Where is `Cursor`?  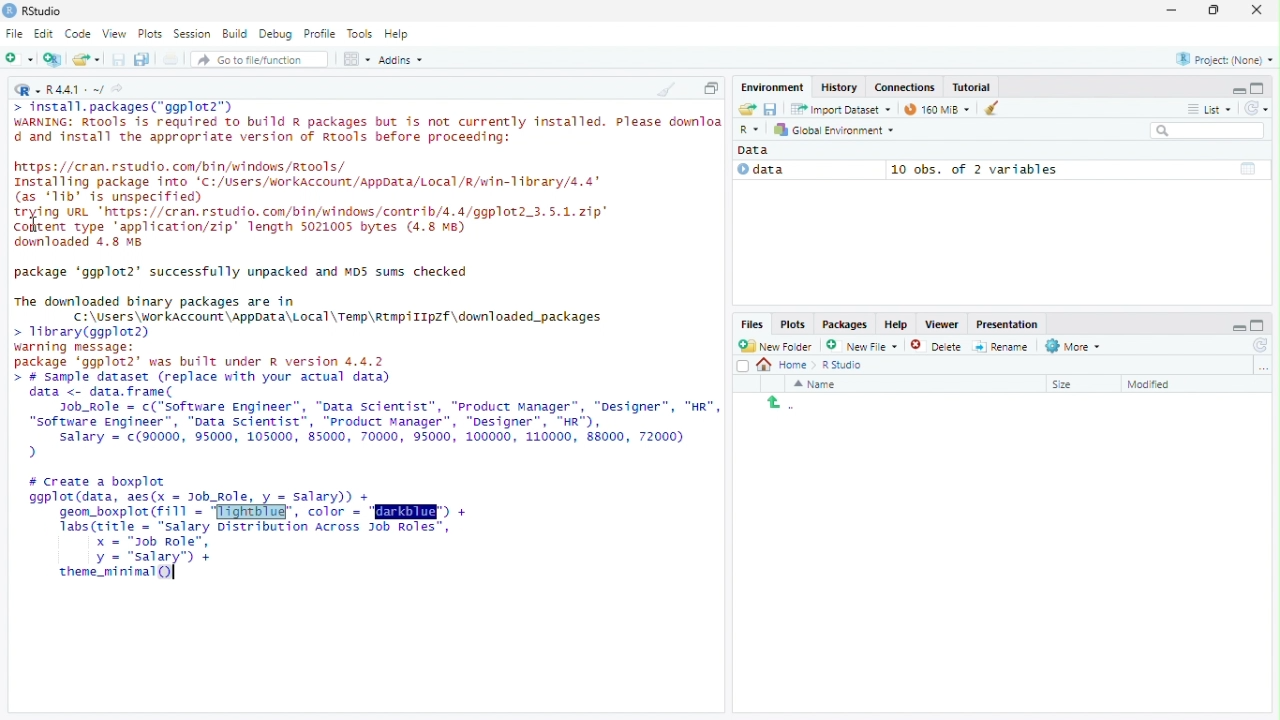
Cursor is located at coordinates (174, 571).